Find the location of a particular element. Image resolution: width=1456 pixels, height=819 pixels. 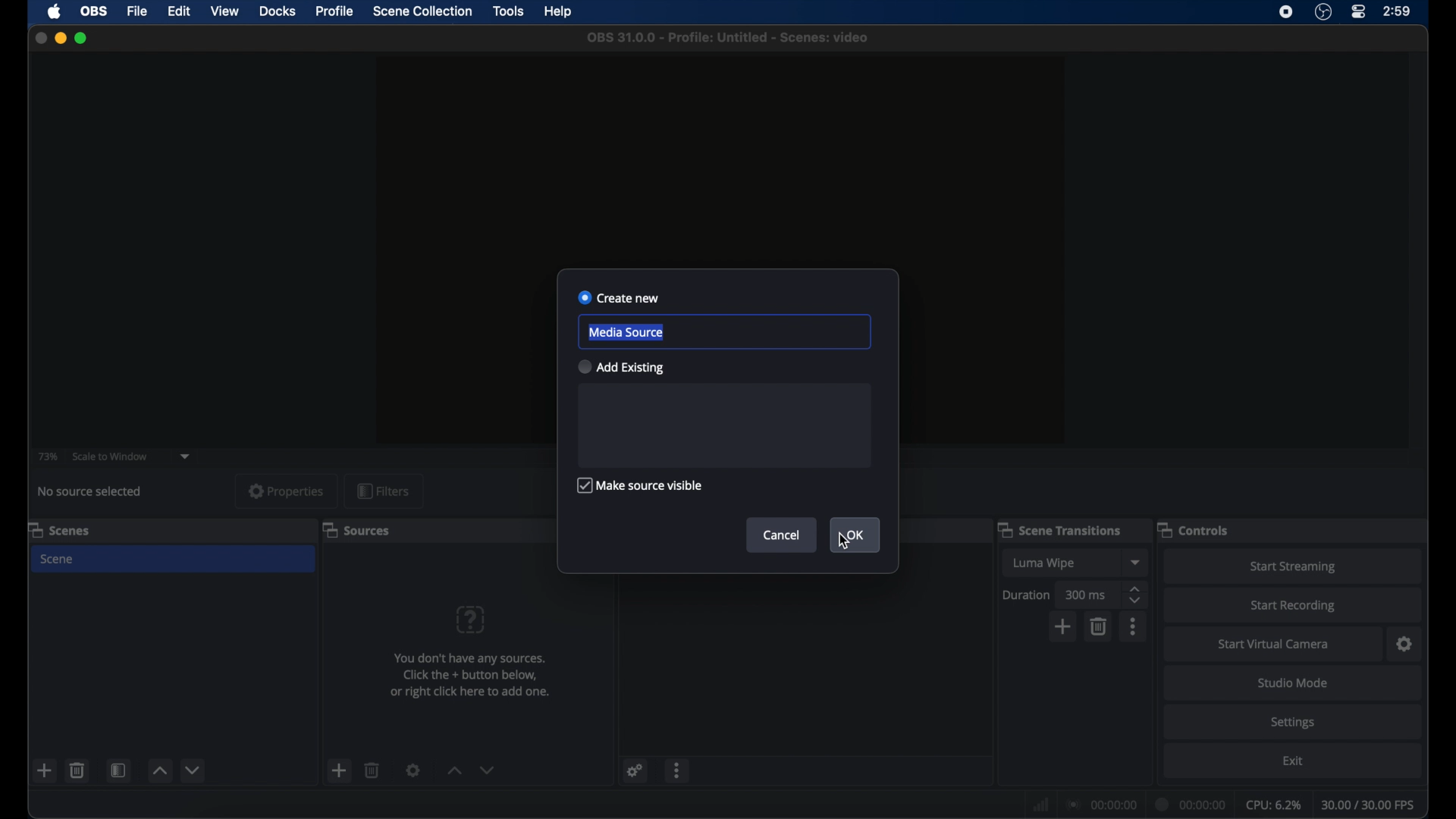

filters is located at coordinates (383, 491).